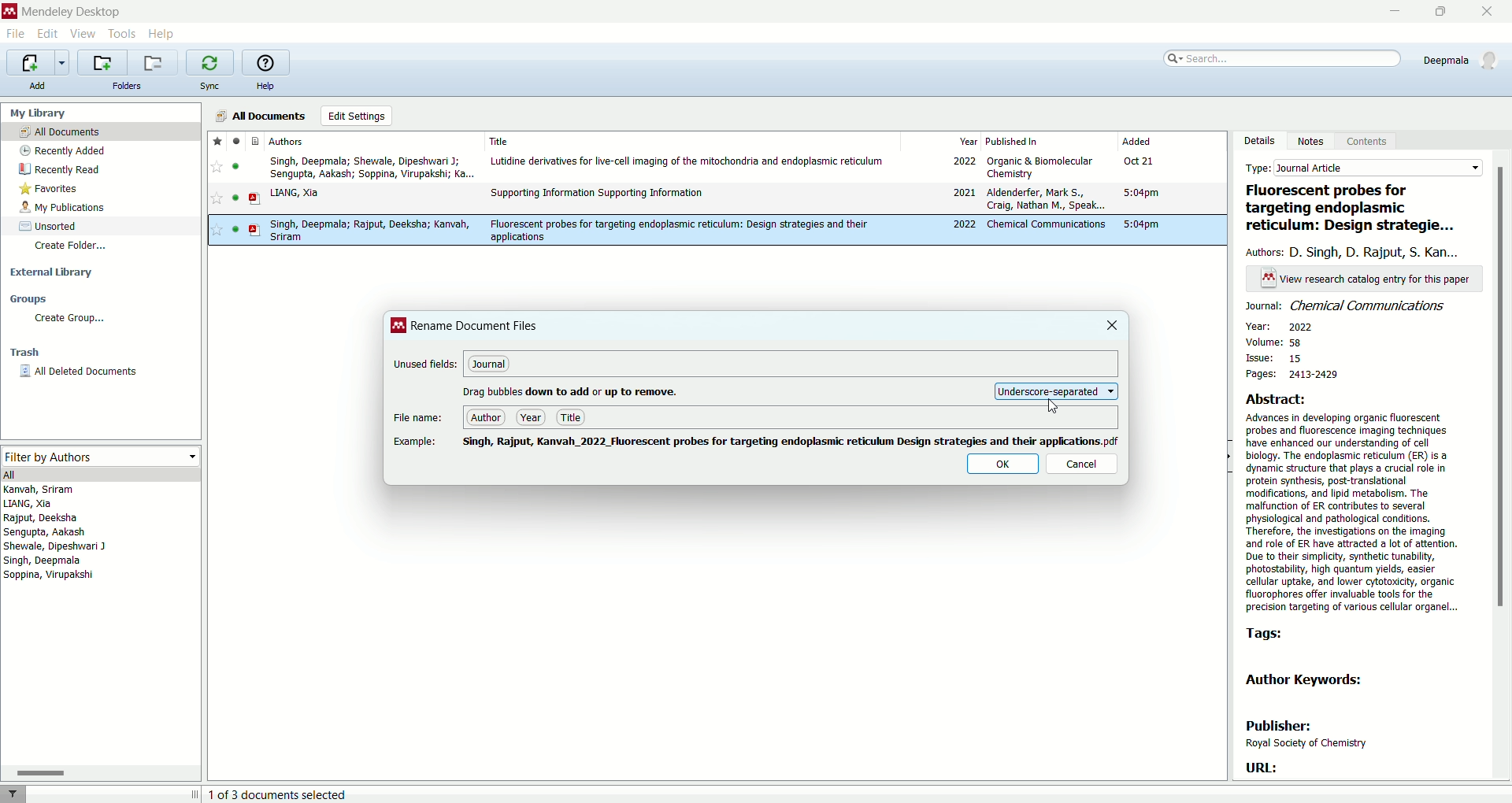  I want to click on 5:04pm, so click(1141, 224).